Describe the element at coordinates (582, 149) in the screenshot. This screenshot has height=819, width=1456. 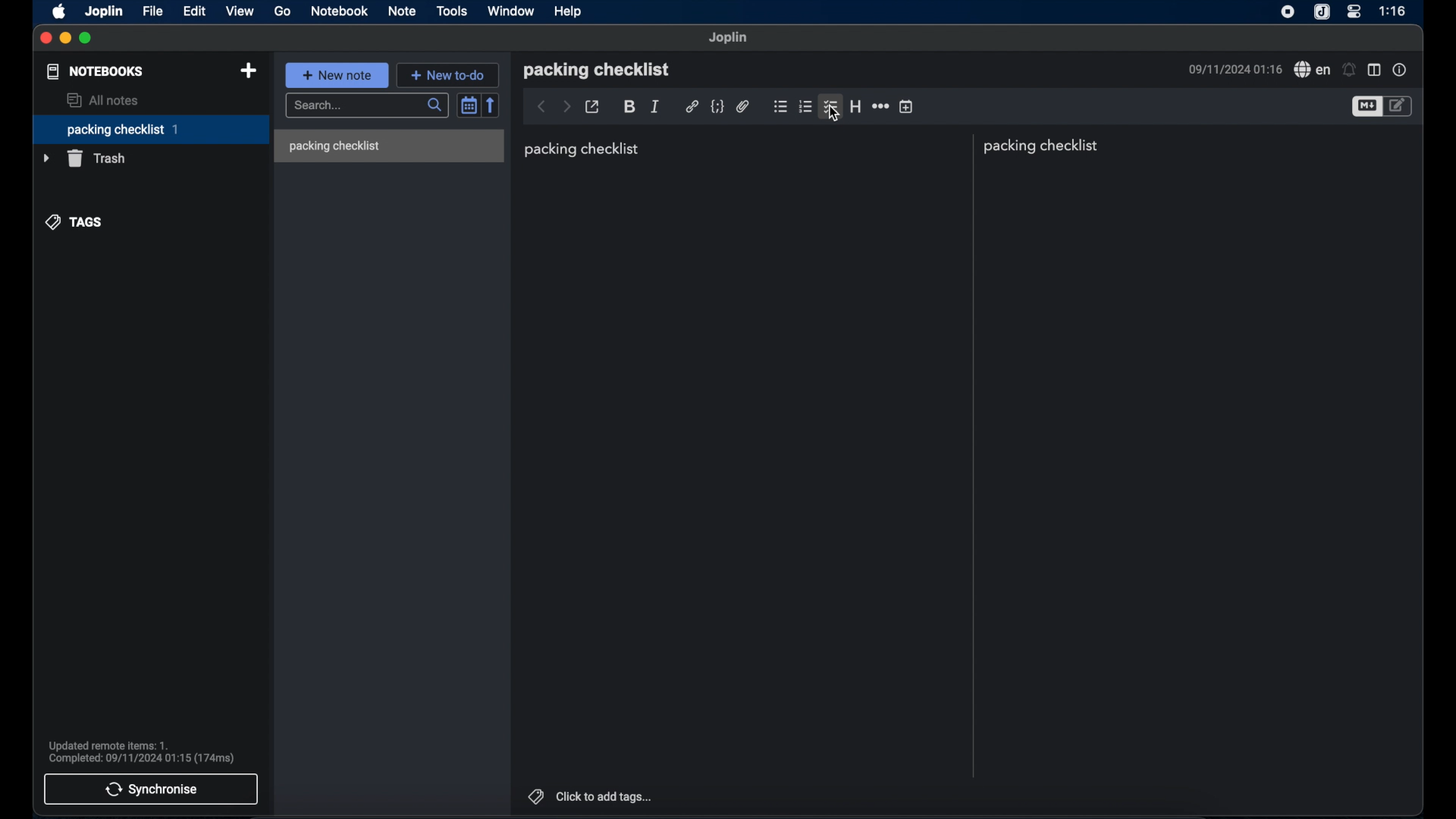
I see `packing checklist` at that location.